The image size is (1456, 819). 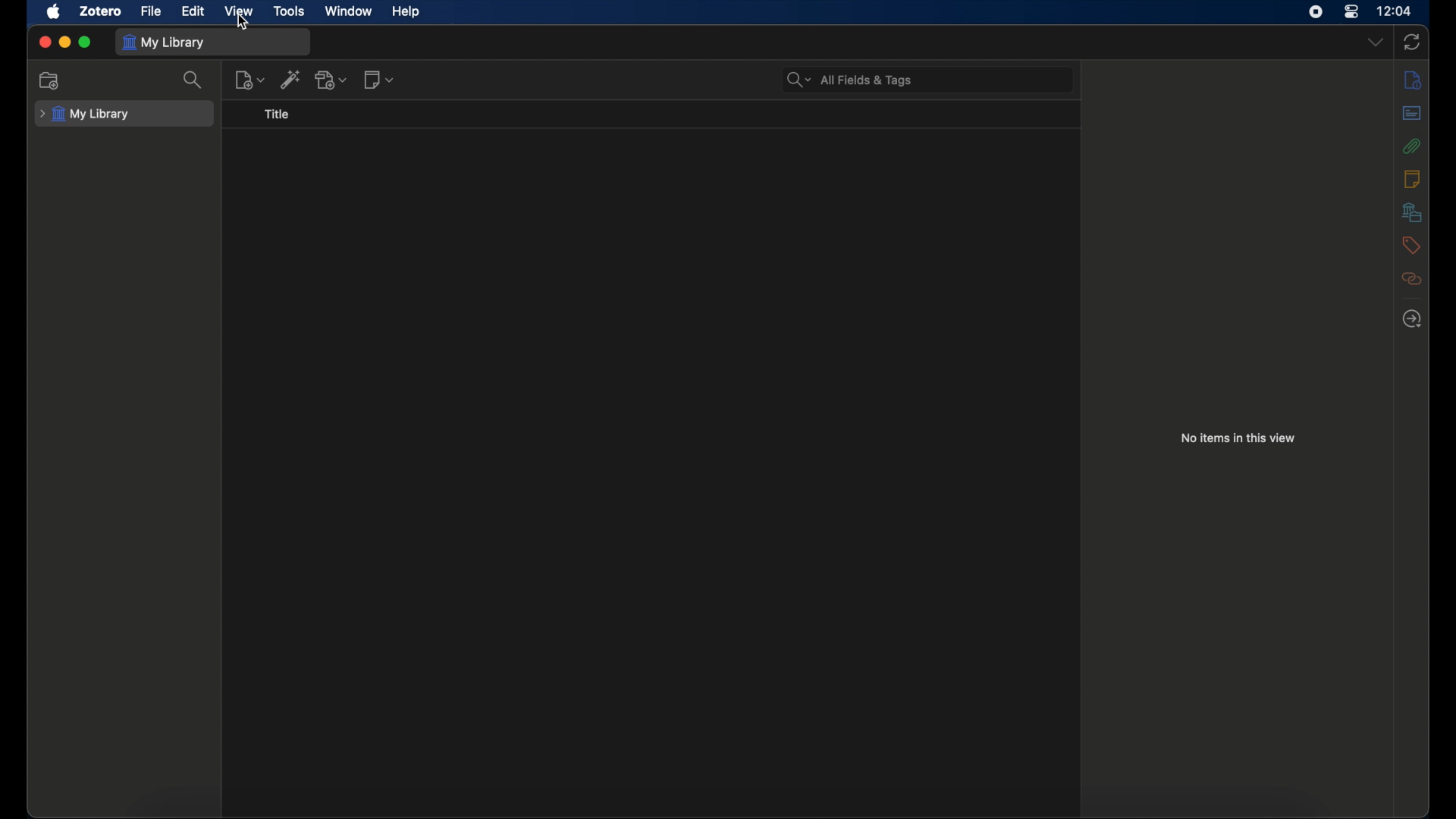 I want to click on help, so click(x=406, y=11).